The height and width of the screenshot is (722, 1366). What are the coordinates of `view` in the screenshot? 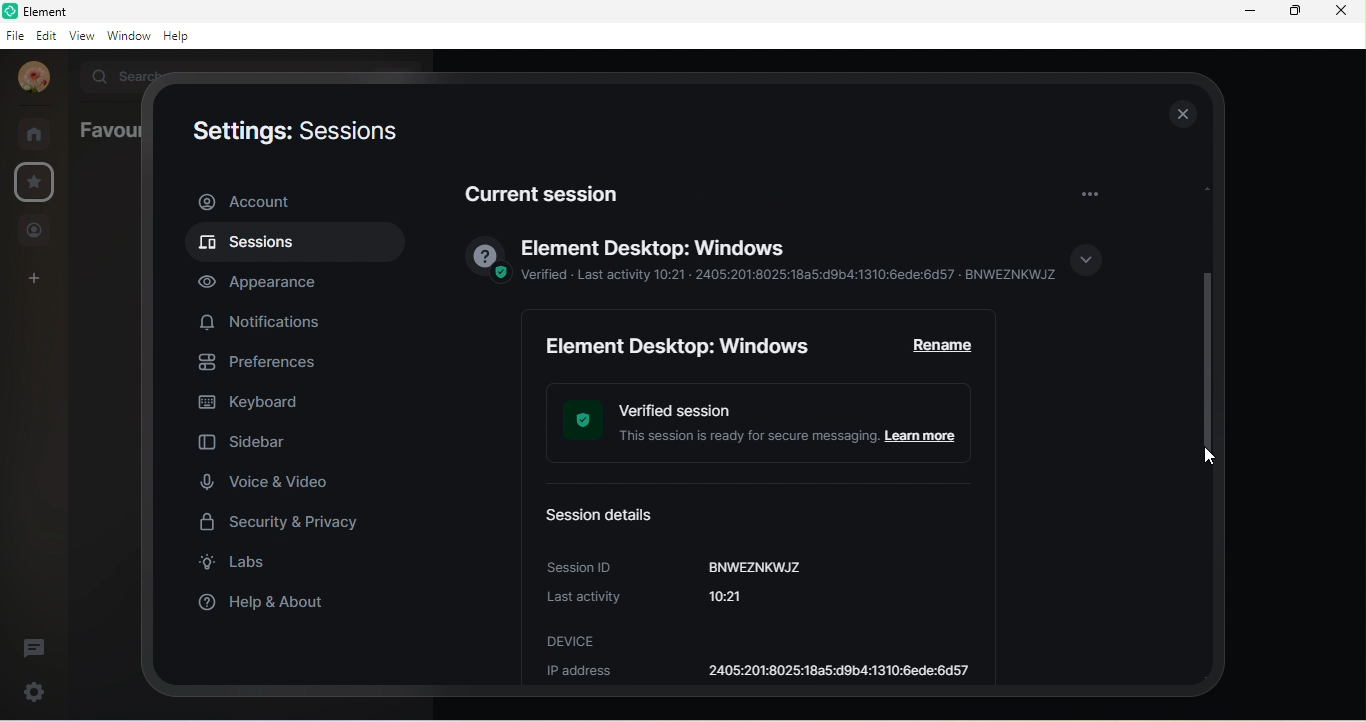 It's located at (82, 34).